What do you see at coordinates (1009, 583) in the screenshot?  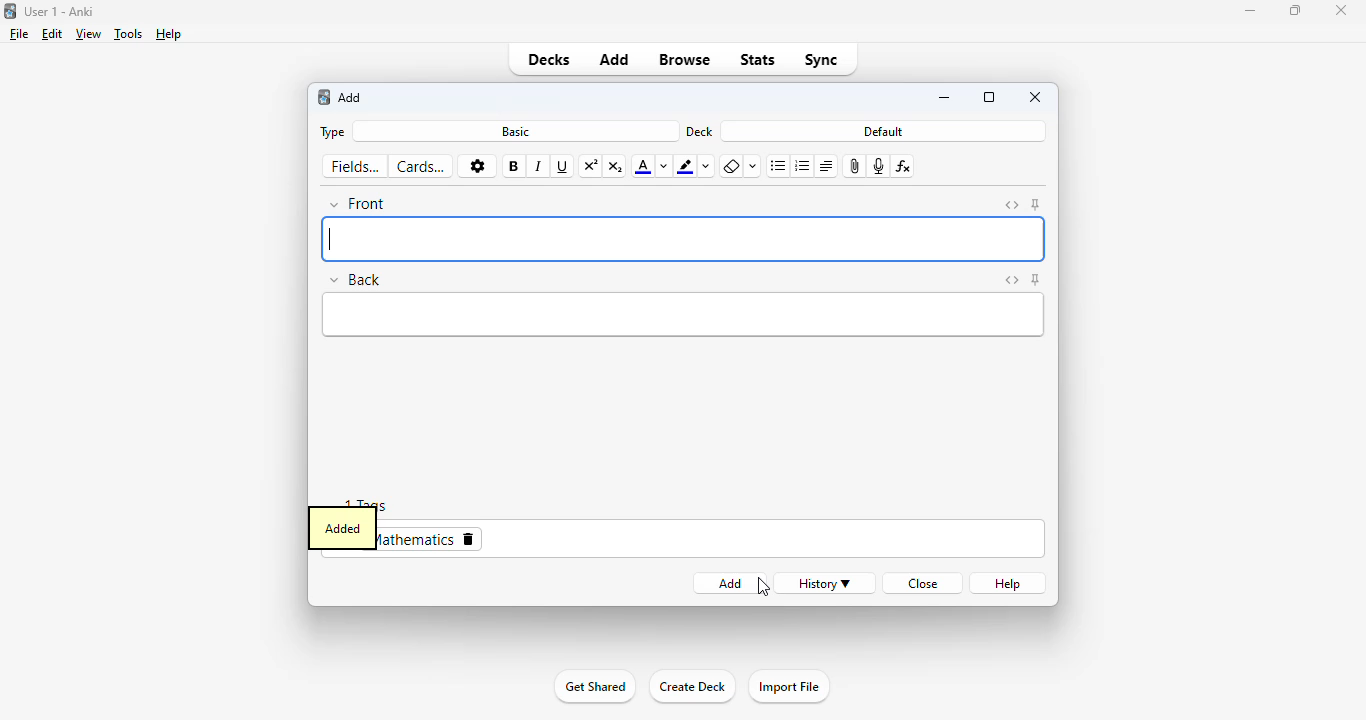 I see `help` at bounding box center [1009, 583].